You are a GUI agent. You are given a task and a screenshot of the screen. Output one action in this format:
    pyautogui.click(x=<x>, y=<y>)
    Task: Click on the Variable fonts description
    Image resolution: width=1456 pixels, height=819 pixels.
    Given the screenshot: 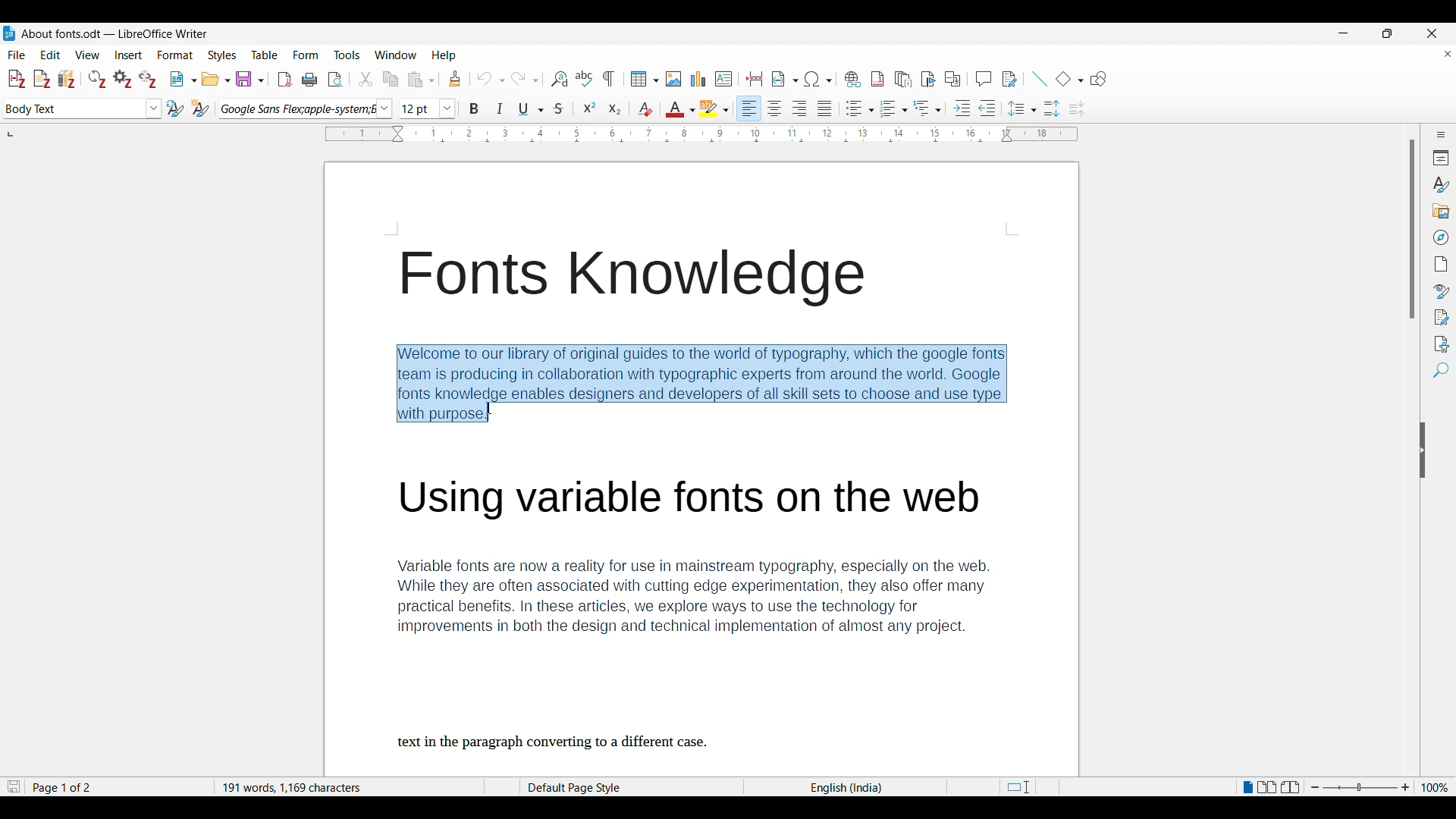 What is the action you would take?
    pyautogui.click(x=698, y=592)
    